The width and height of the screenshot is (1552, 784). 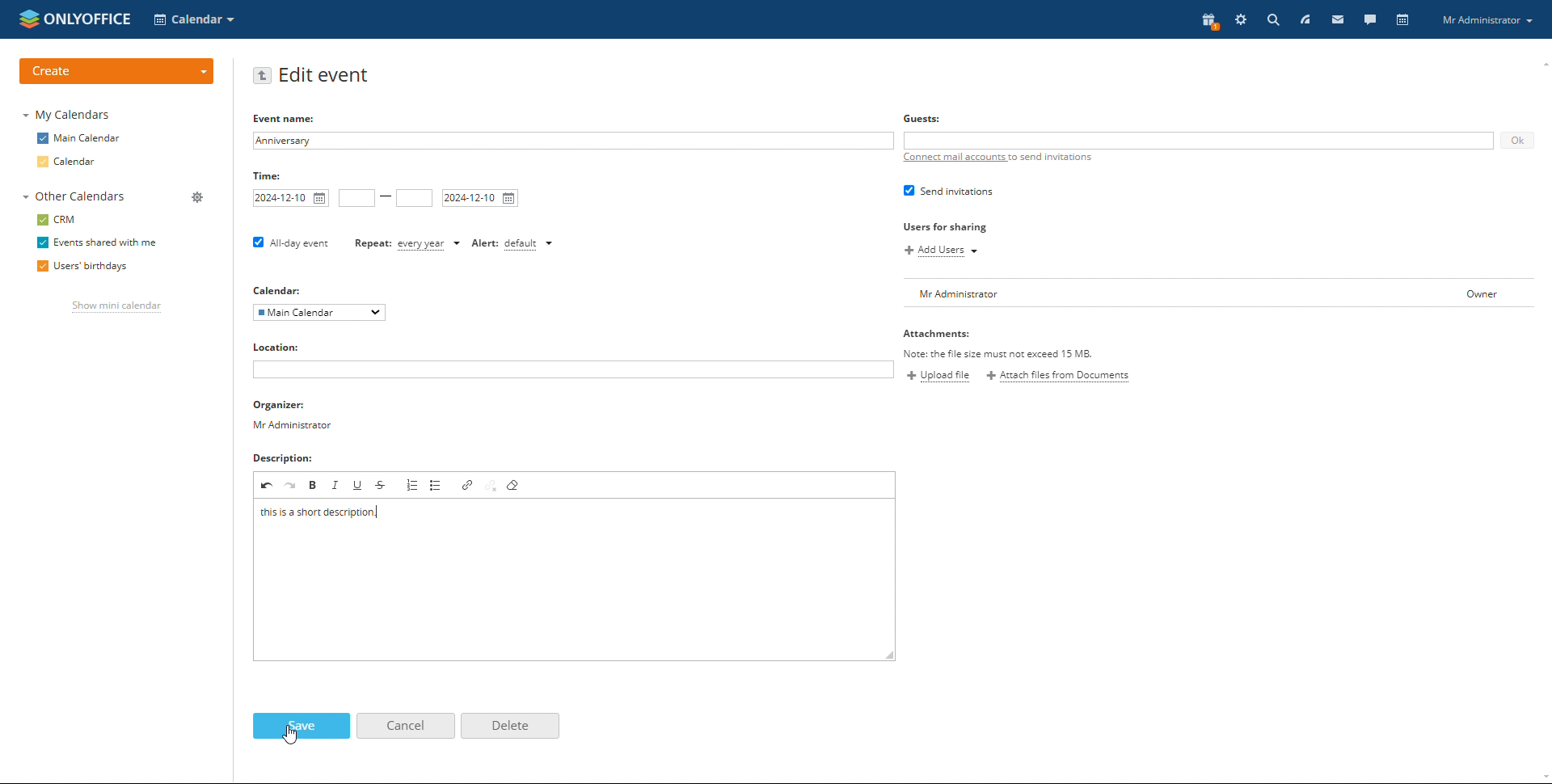 I want to click on unpin, so click(x=491, y=484).